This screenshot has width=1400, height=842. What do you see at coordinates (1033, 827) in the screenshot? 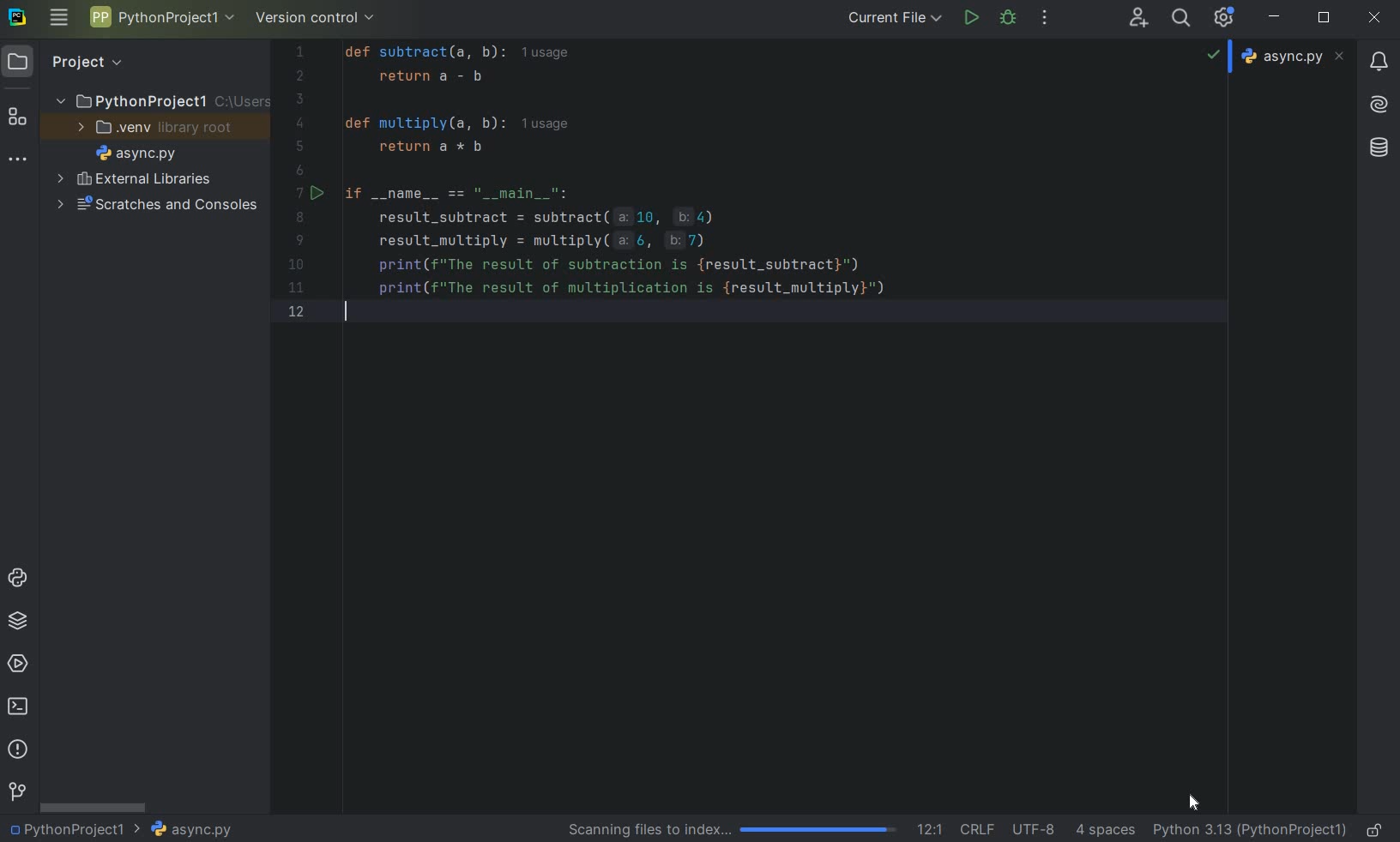
I see `fine encoding` at bounding box center [1033, 827].